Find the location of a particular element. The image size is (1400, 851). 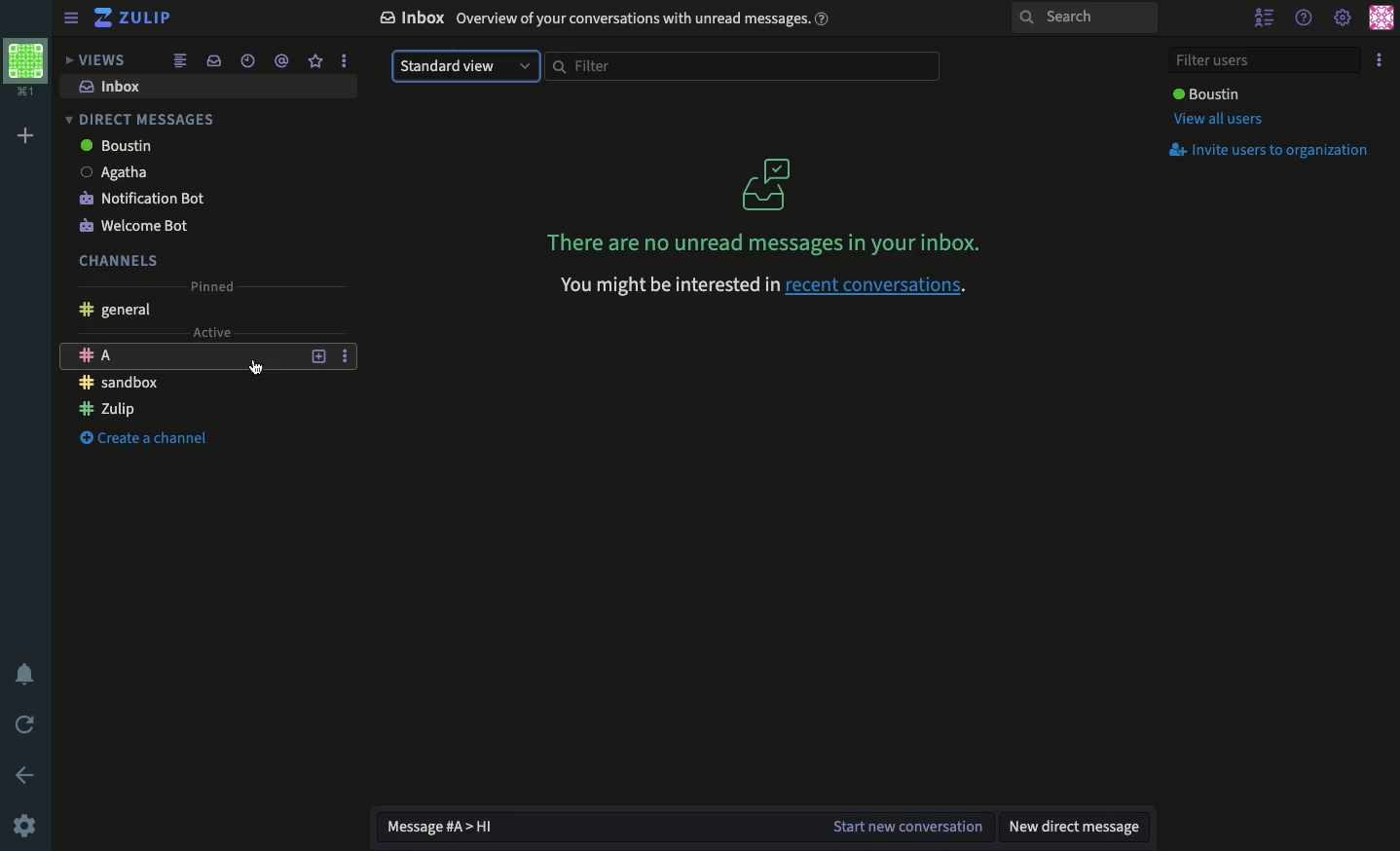

Profile is located at coordinates (1381, 18).